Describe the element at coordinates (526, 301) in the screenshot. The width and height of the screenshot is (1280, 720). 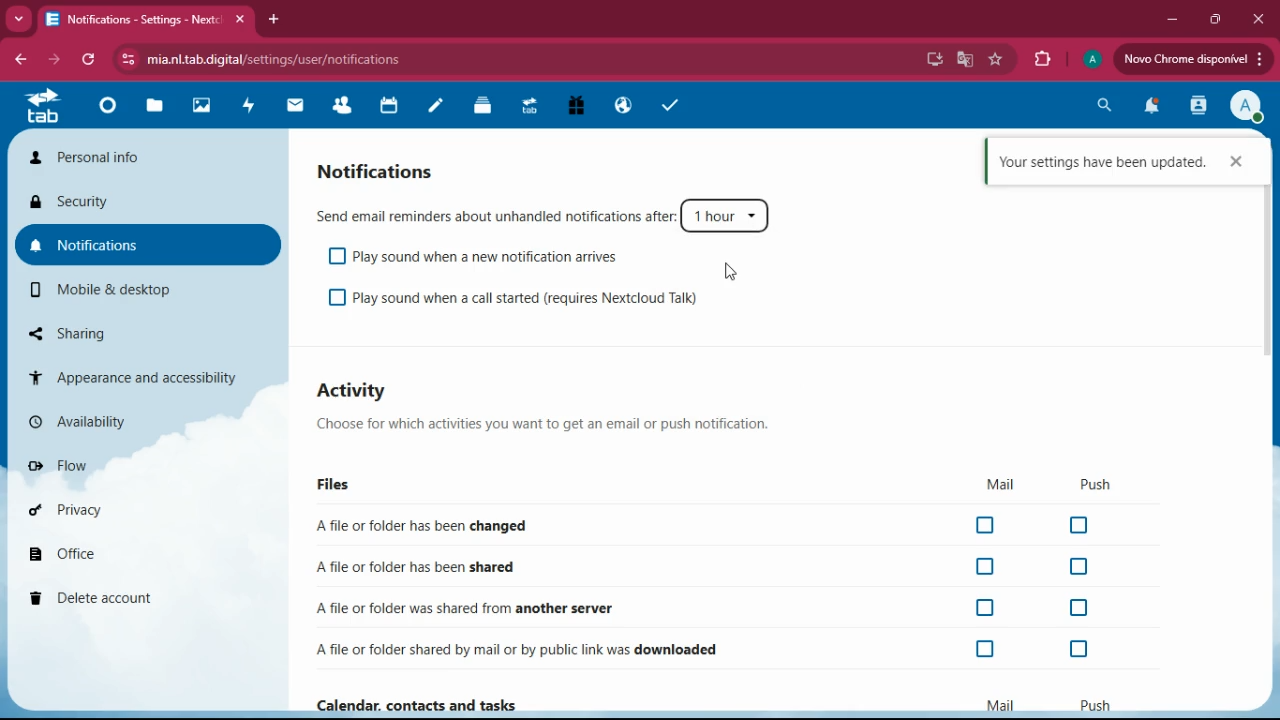
I see `play sound` at that location.